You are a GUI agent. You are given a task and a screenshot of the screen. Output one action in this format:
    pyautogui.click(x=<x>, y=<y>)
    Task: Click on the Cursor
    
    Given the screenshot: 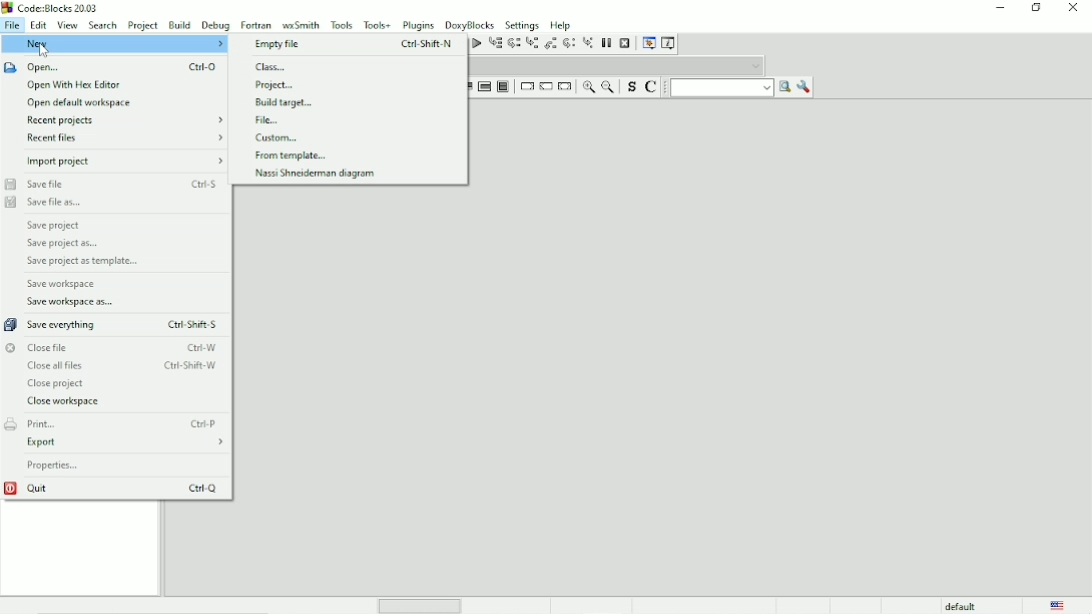 What is the action you would take?
    pyautogui.click(x=45, y=50)
    